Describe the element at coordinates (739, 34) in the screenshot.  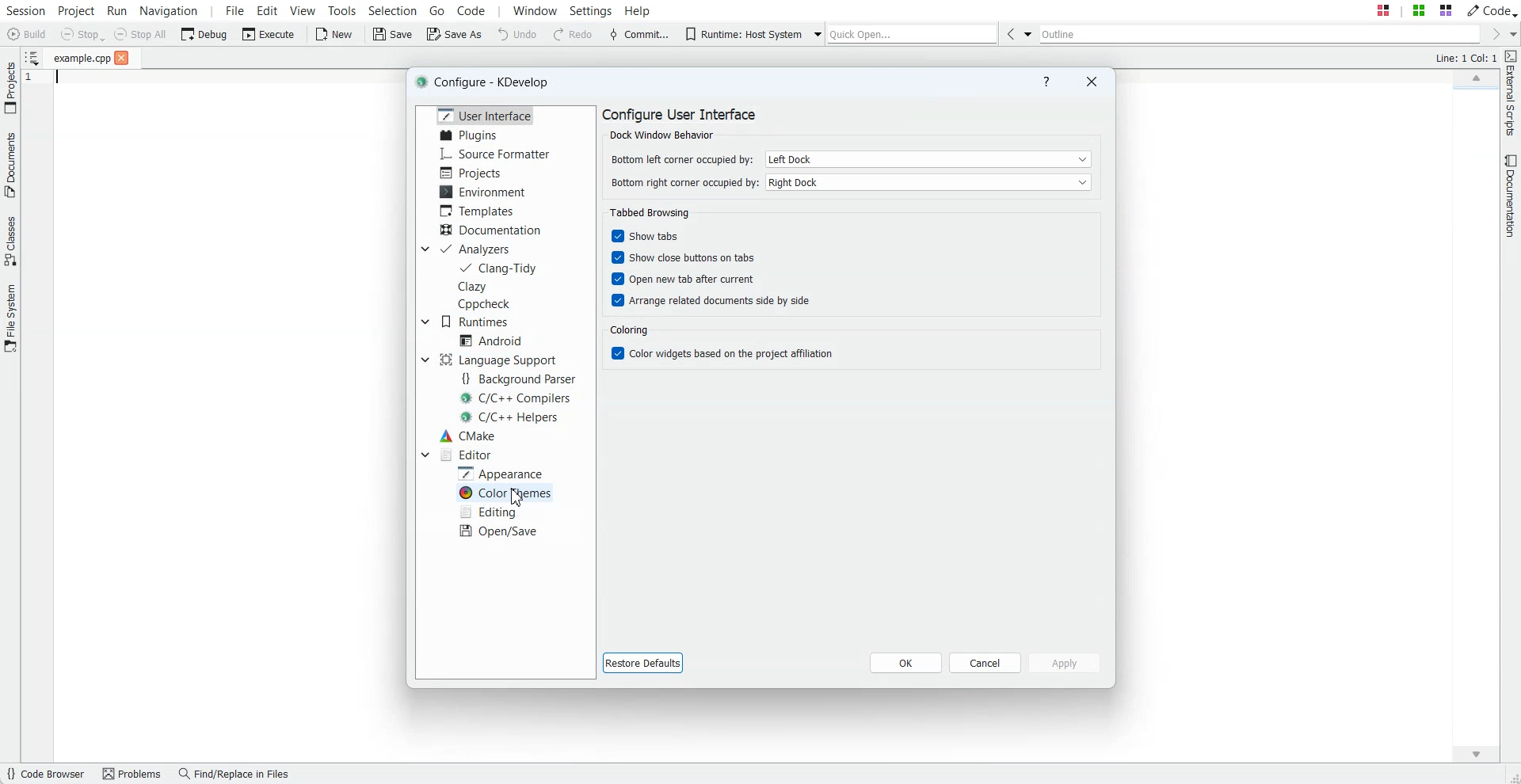
I see `Runtime: Host System` at that location.